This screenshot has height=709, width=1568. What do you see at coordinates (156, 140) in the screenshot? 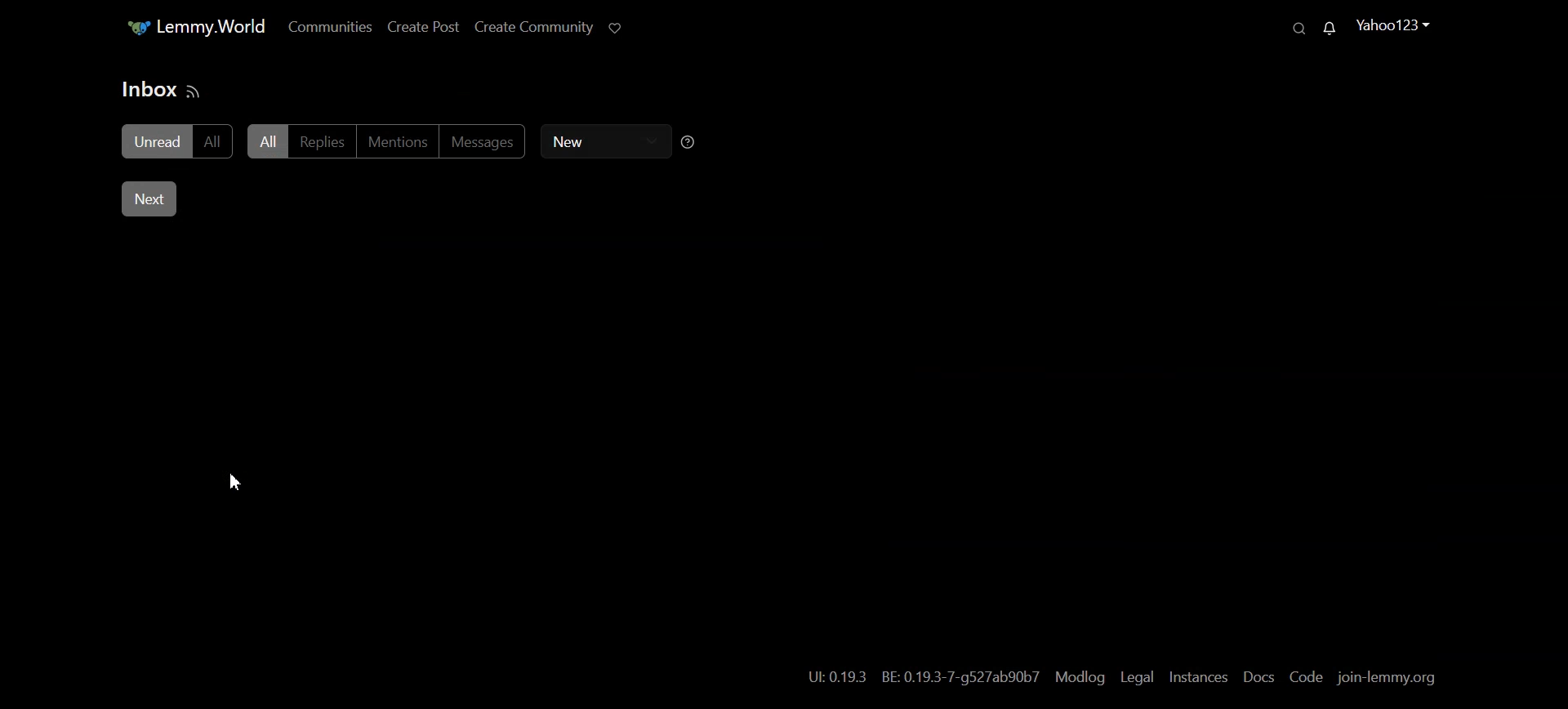
I see `Unread` at bounding box center [156, 140].